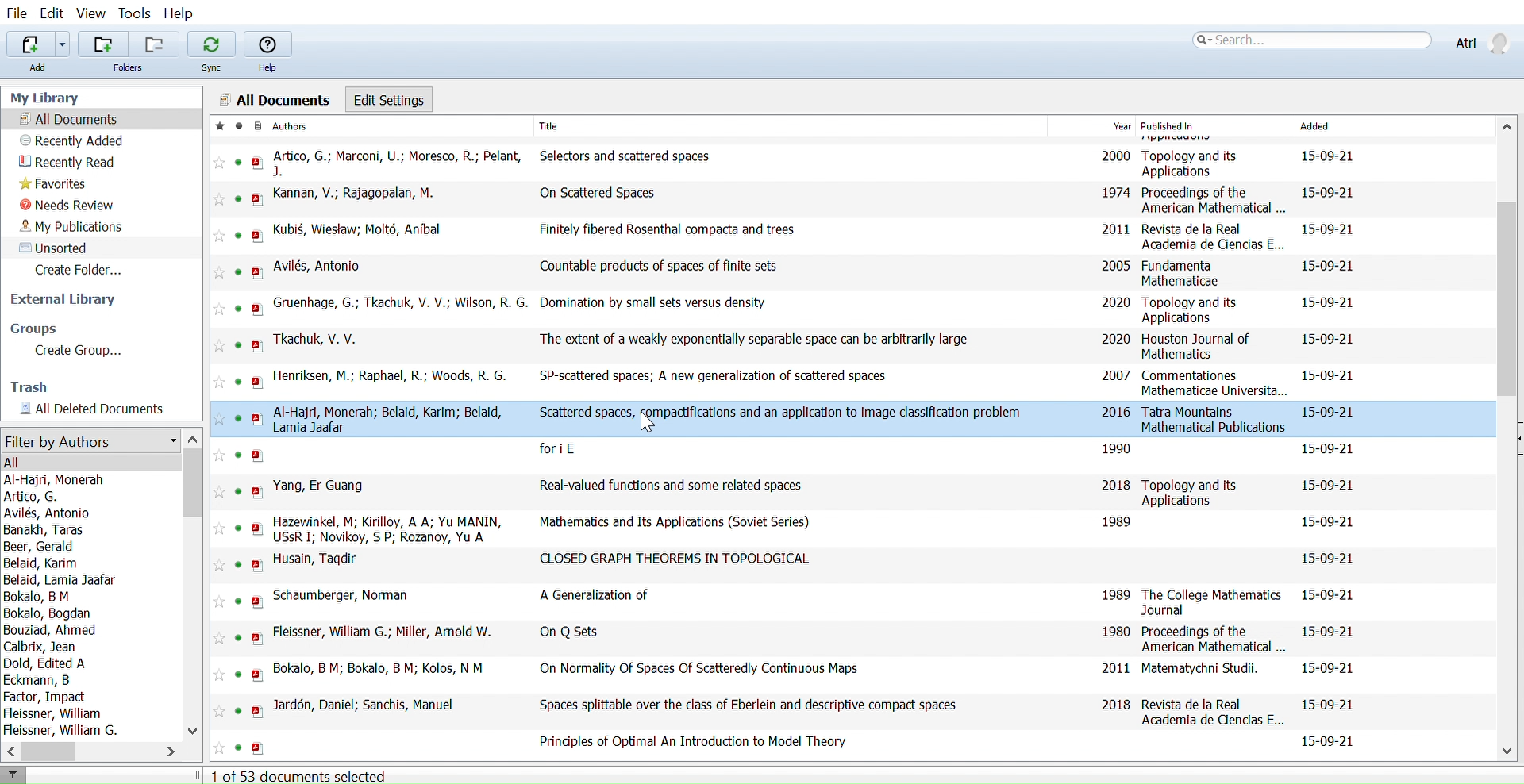 Image resolution: width=1524 pixels, height=784 pixels. I want to click on Sync, so click(212, 52).